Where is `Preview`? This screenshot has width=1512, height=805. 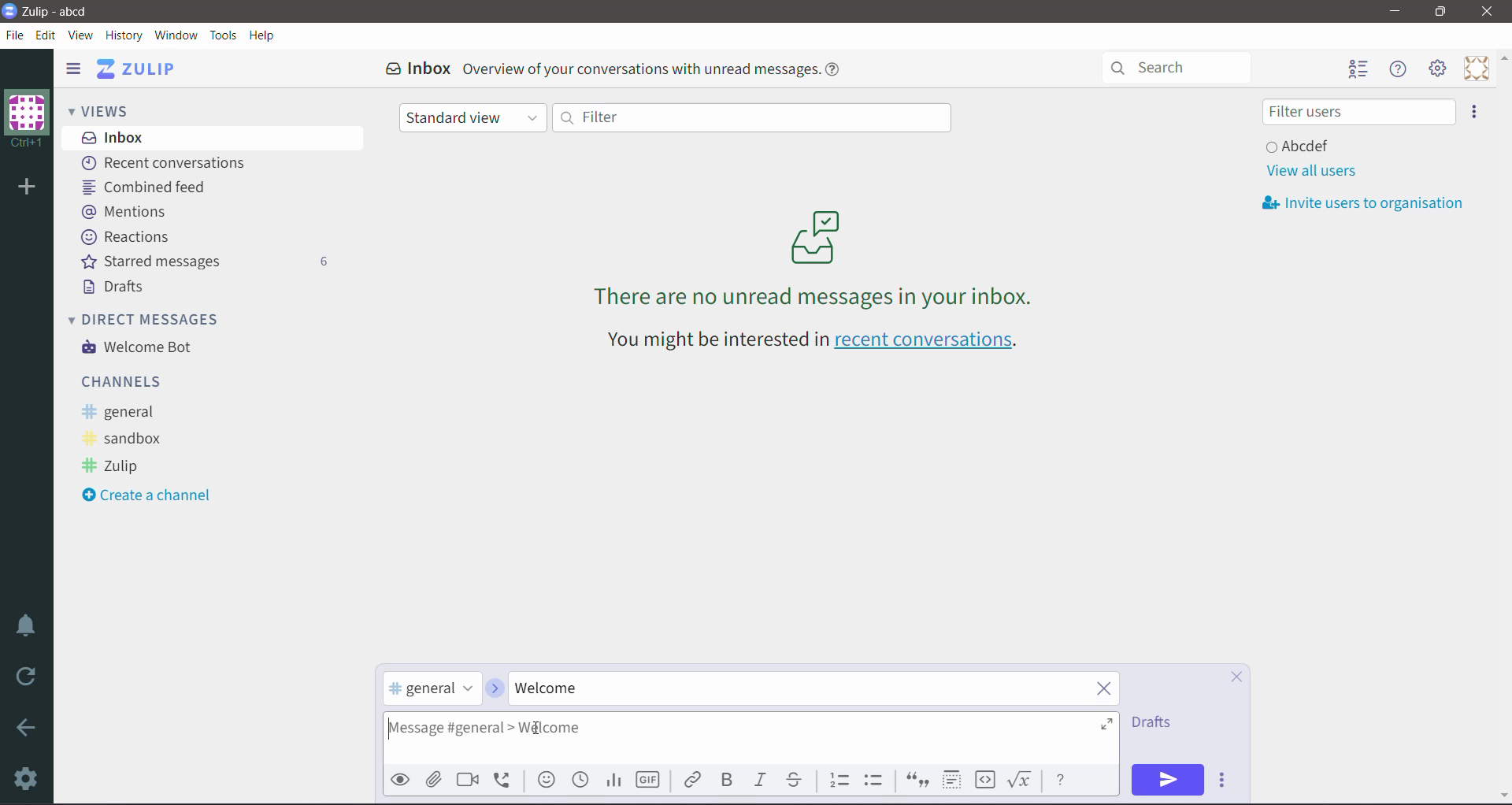
Preview is located at coordinates (401, 779).